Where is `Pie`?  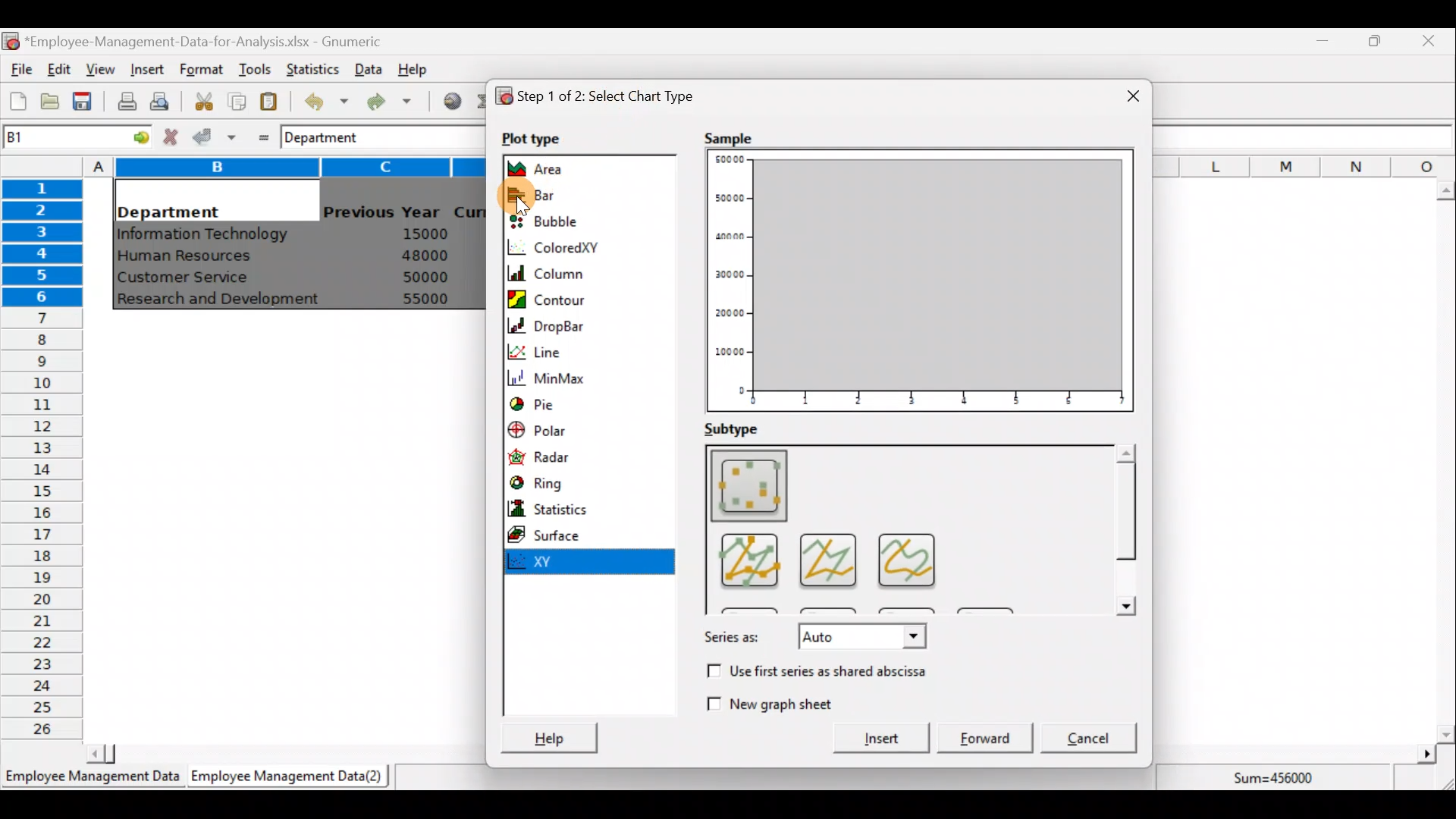
Pie is located at coordinates (557, 404).